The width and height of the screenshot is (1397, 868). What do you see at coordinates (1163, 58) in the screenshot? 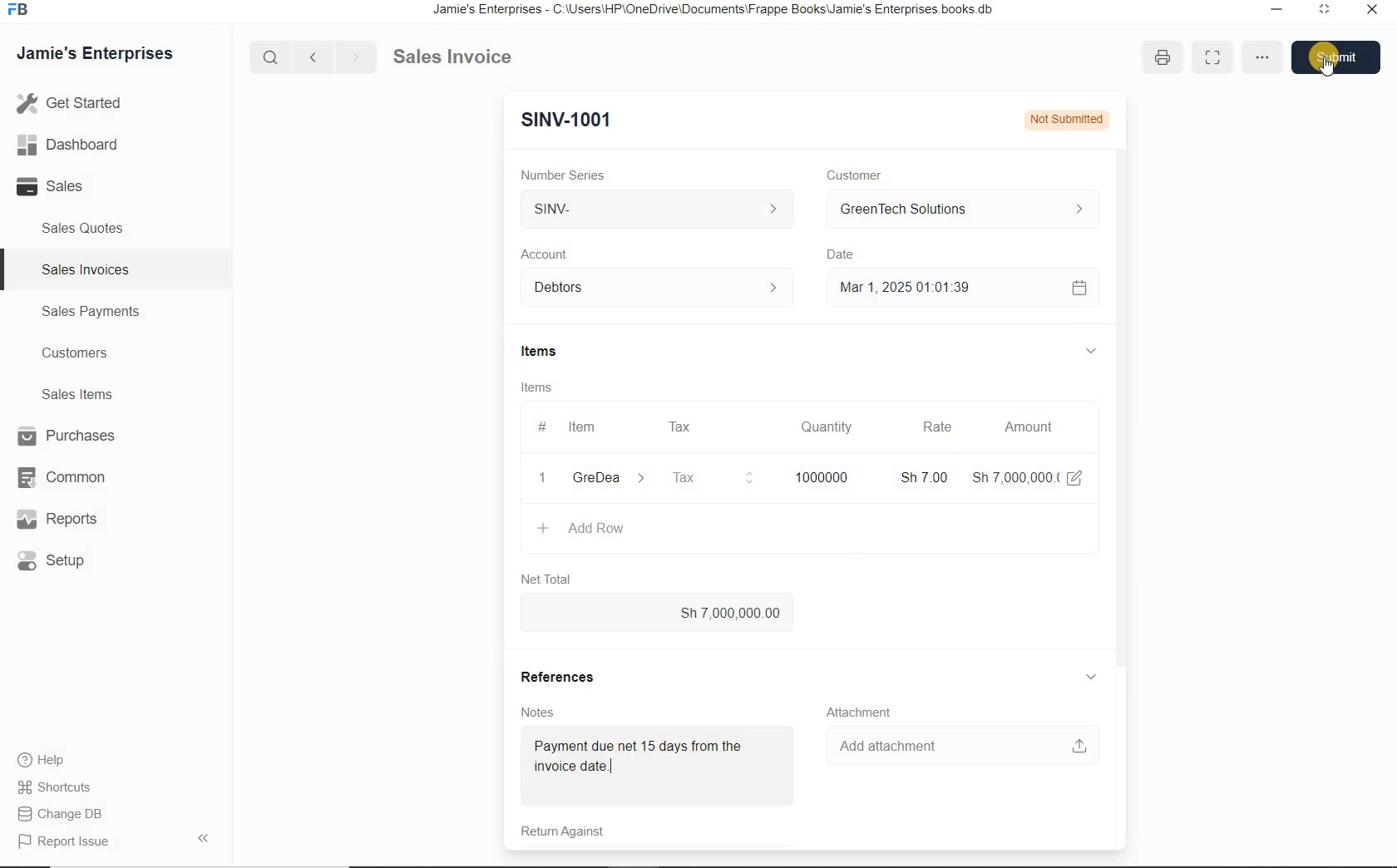
I see `print` at bounding box center [1163, 58].